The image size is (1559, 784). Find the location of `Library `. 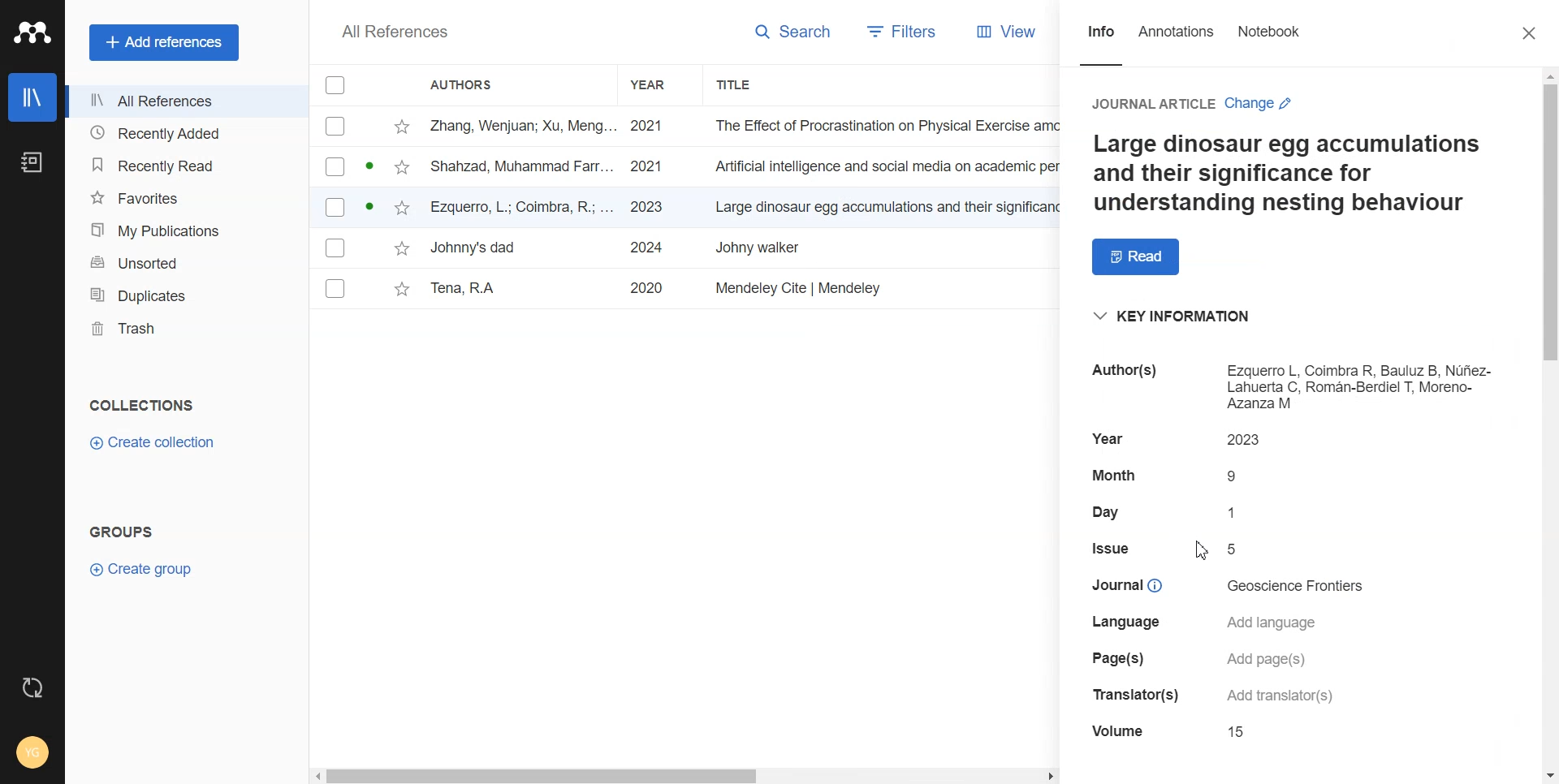

Library  is located at coordinates (32, 97).